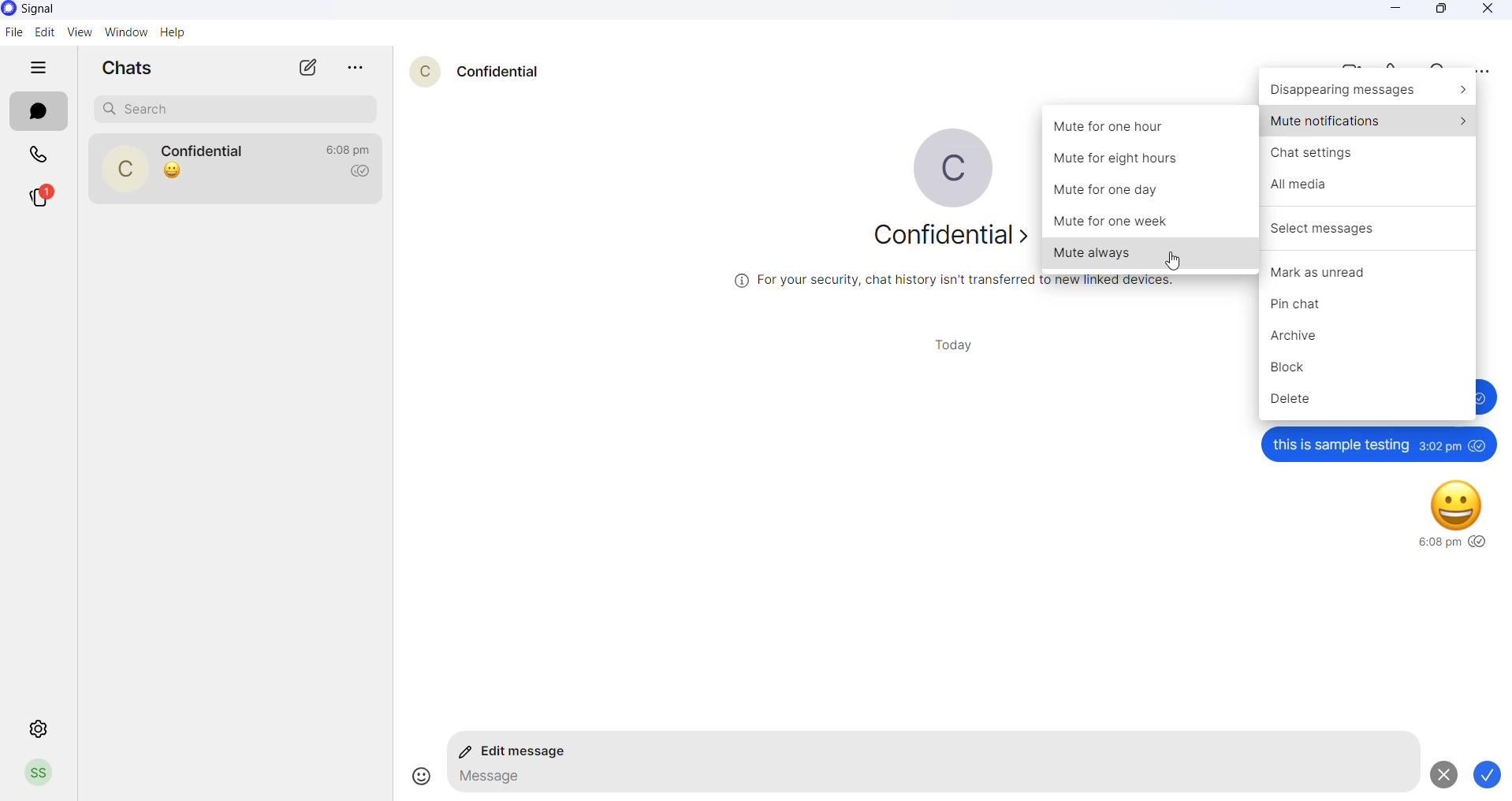 The image size is (1512, 801). Describe the element at coordinates (39, 153) in the screenshot. I see `calls` at that location.